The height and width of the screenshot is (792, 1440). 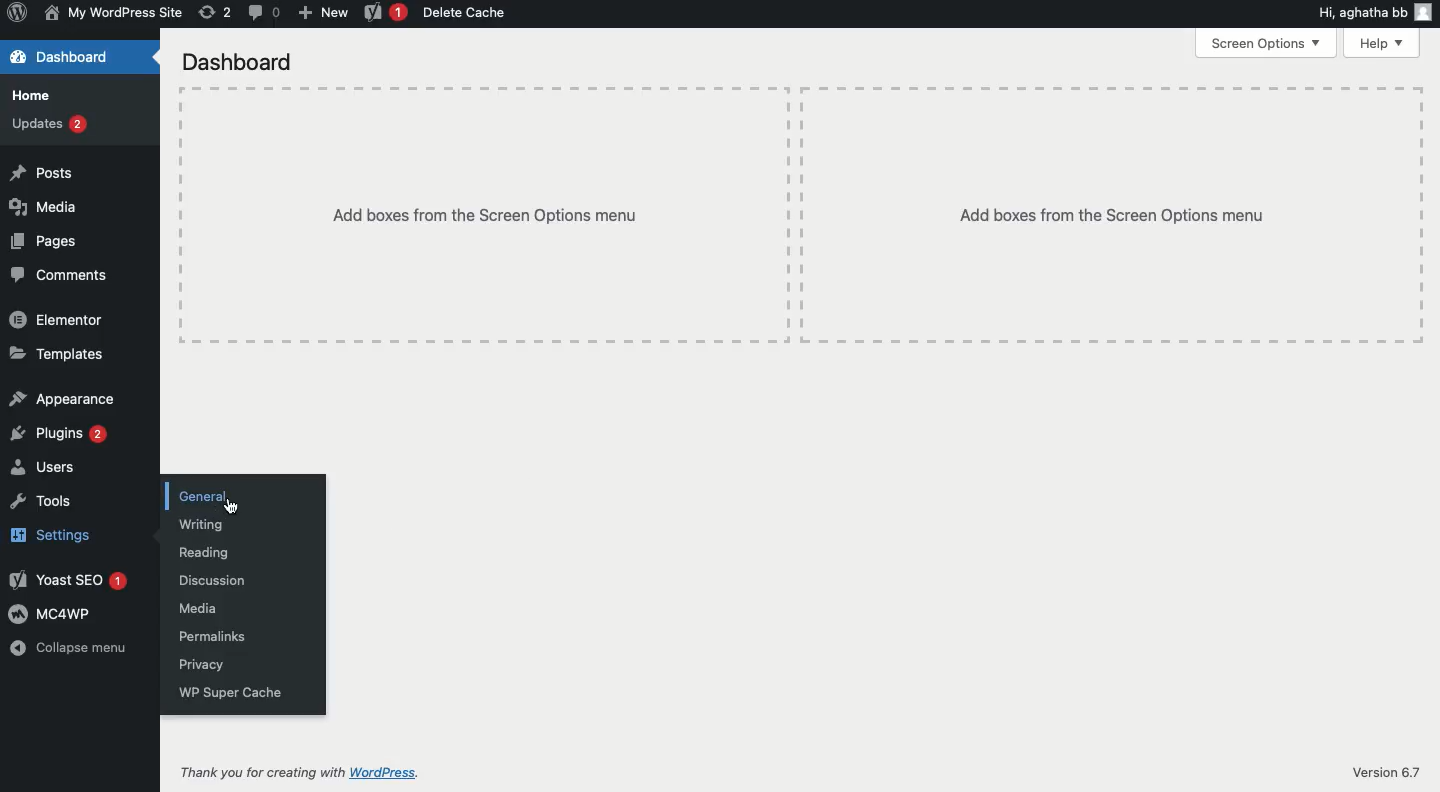 I want to click on Help, so click(x=1382, y=43).